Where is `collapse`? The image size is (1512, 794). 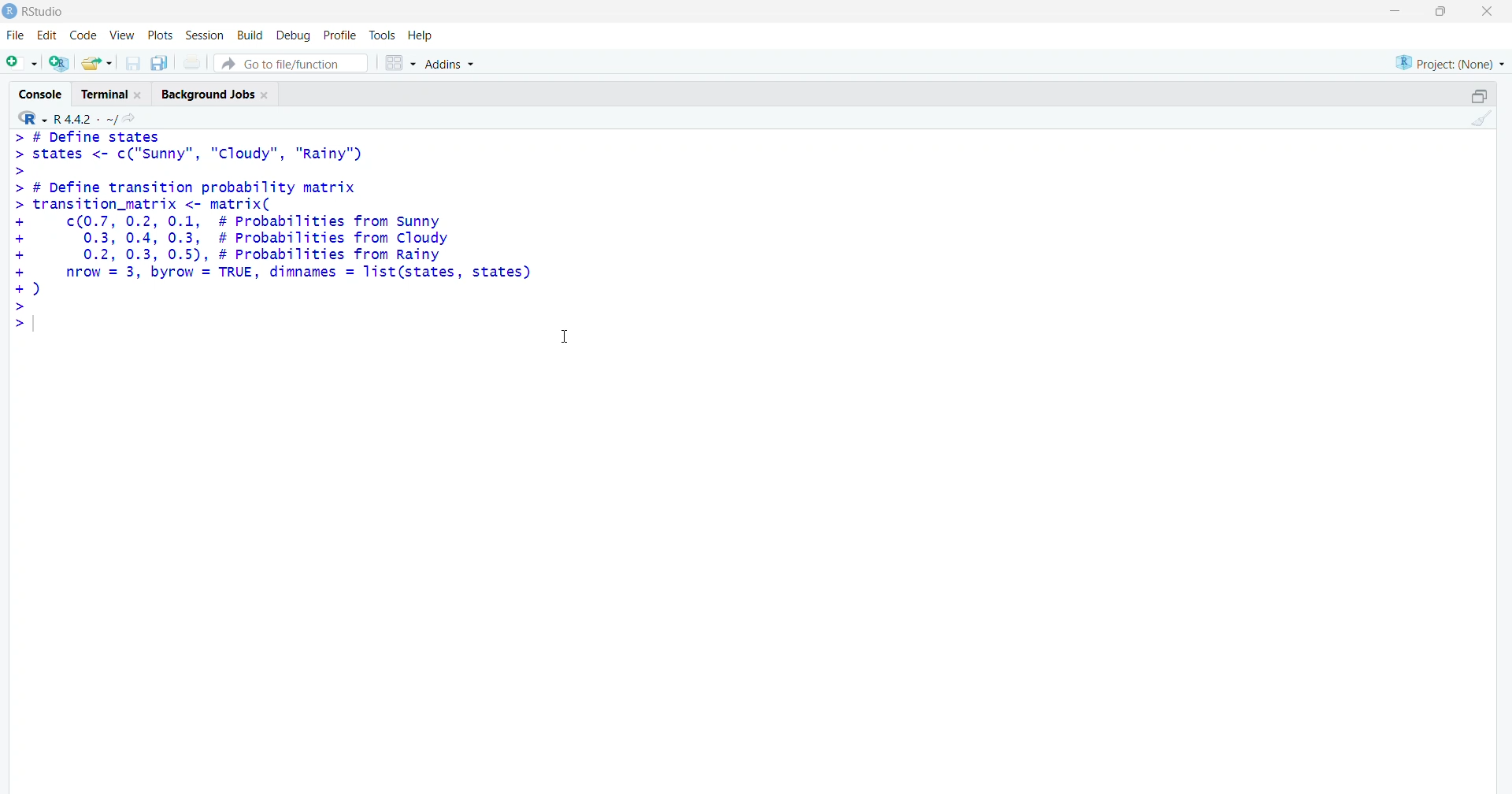
collapse is located at coordinates (1478, 96).